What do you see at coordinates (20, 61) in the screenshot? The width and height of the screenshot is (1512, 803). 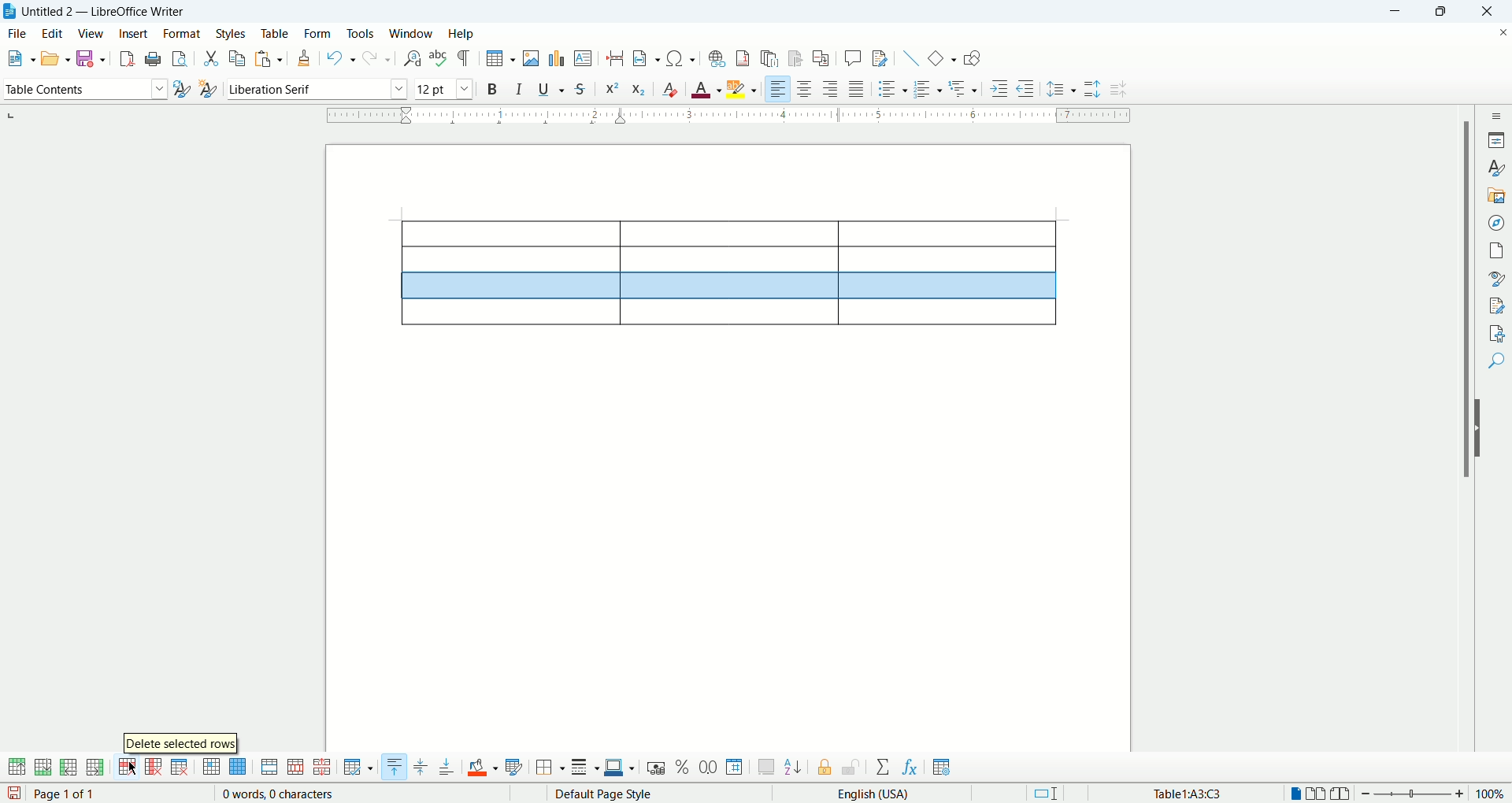 I see `new` at bounding box center [20, 61].